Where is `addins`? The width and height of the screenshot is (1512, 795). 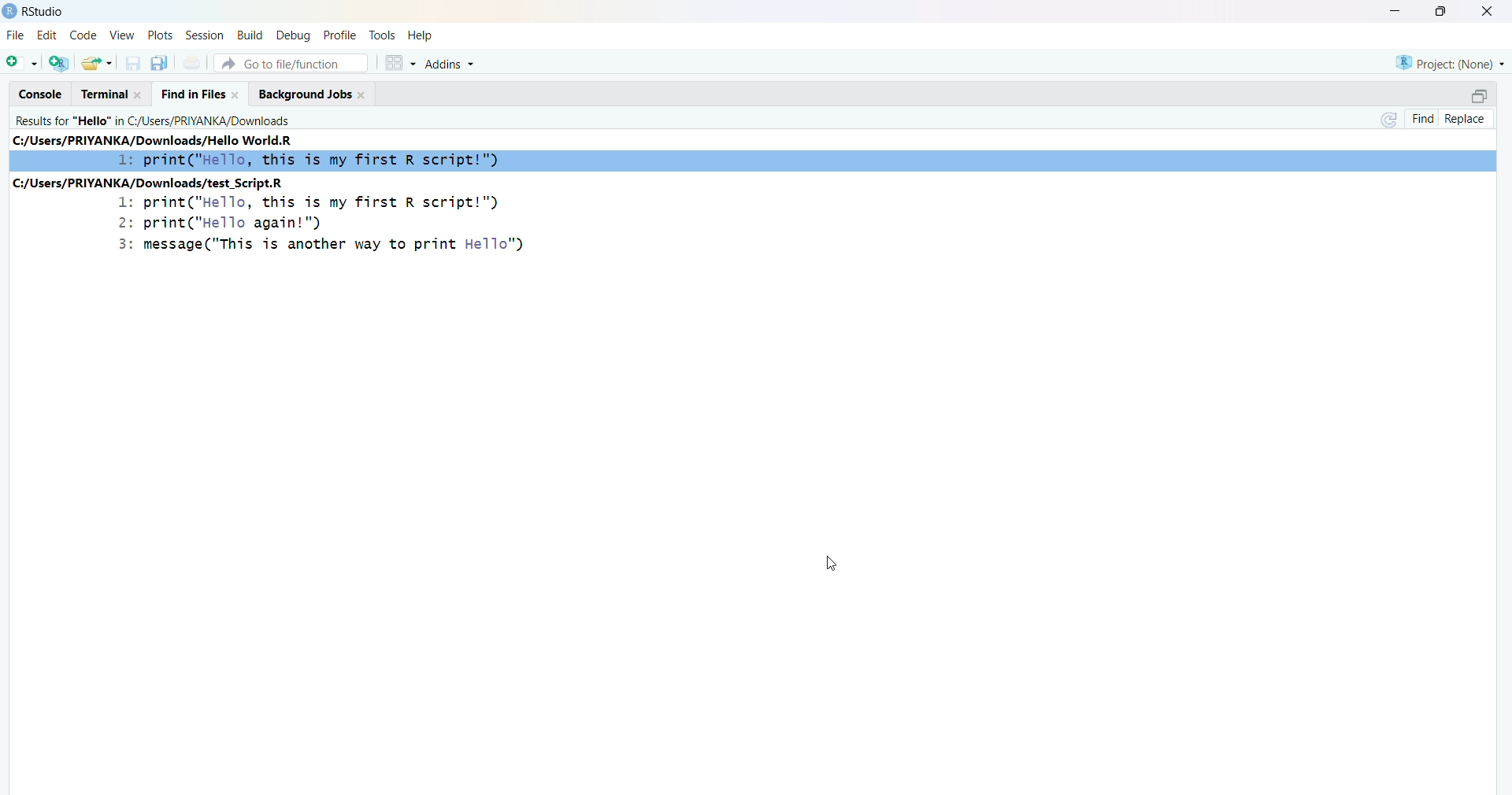
addins is located at coordinates (451, 65).